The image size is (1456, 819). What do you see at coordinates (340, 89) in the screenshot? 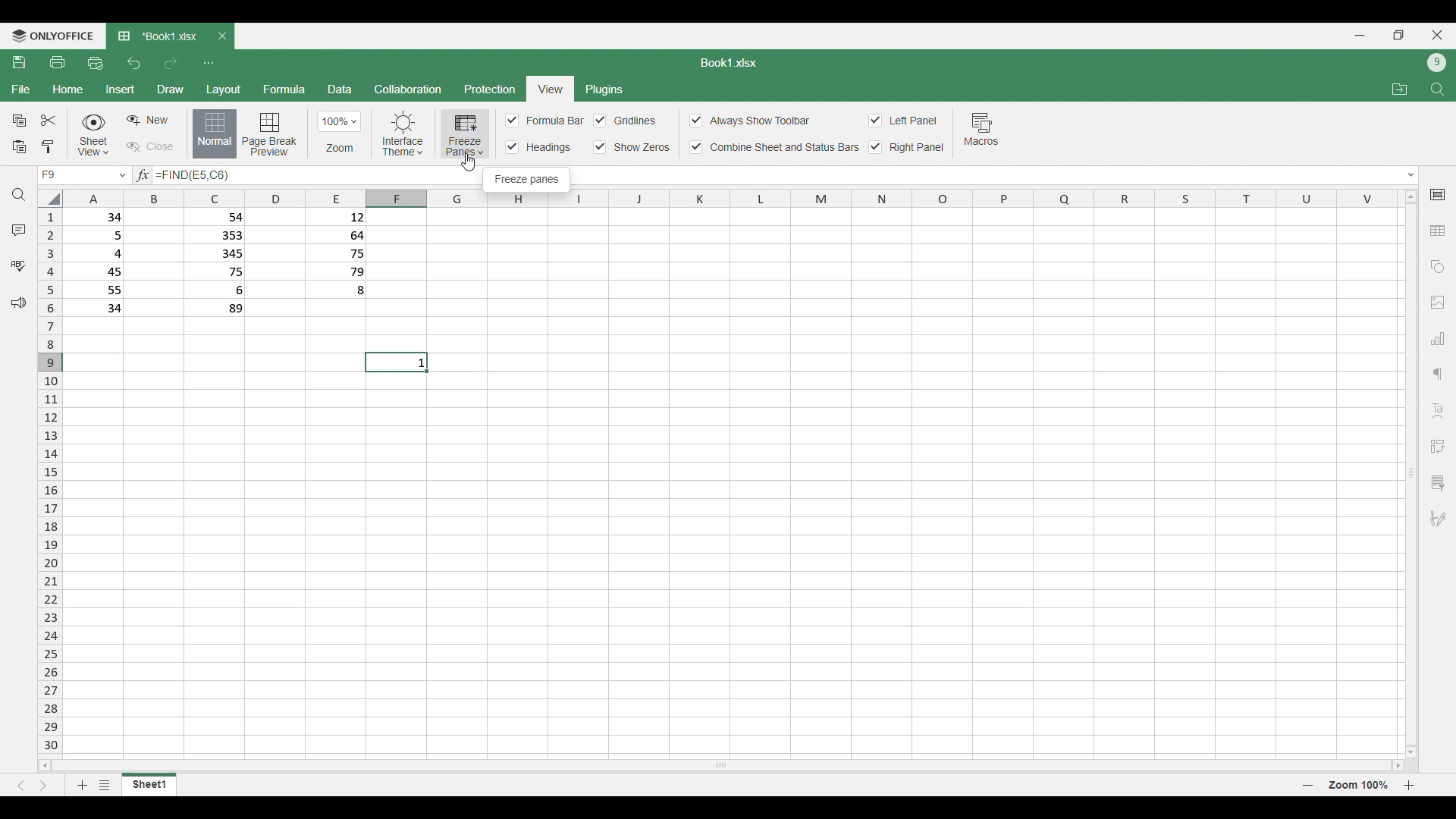
I see `Data menu` at bounding box center [340, 89].